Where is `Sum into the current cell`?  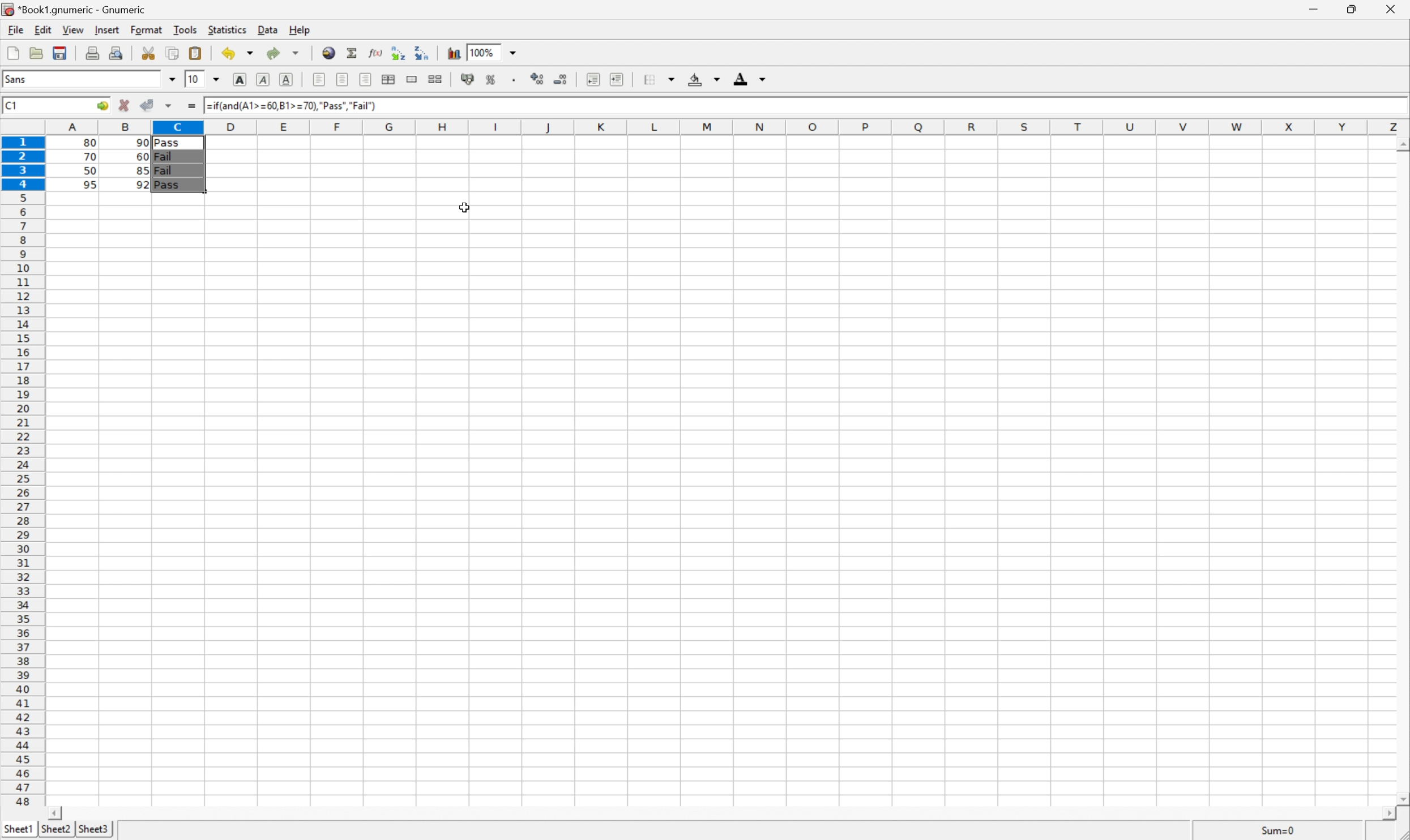
Sum into the current cell is located at coordinates (352, 52).